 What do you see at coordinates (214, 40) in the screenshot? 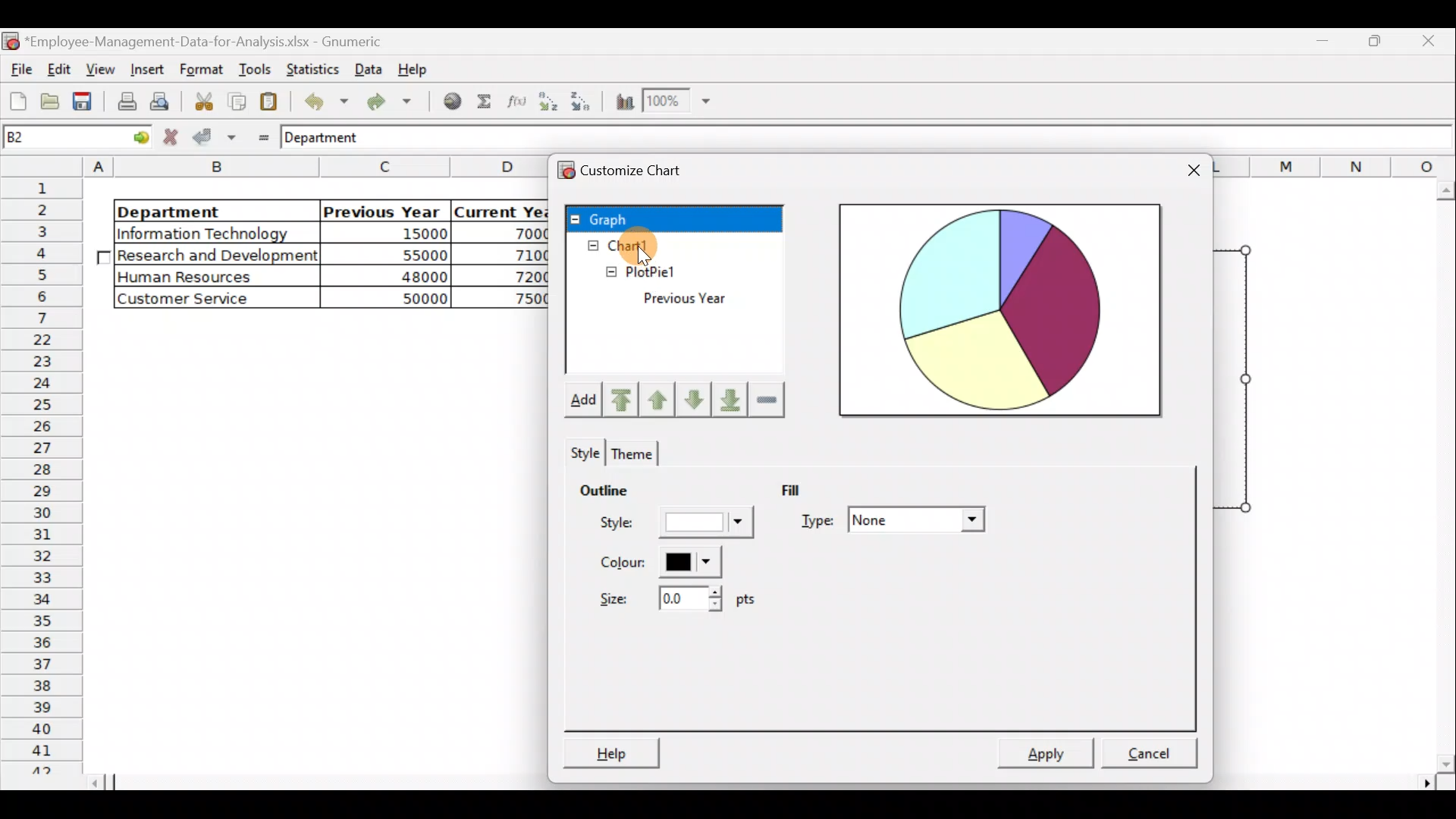
I see `Employee-Management-Data-for-Analysis.xlsx - Gnumeric` at bounding box center [214, 40].